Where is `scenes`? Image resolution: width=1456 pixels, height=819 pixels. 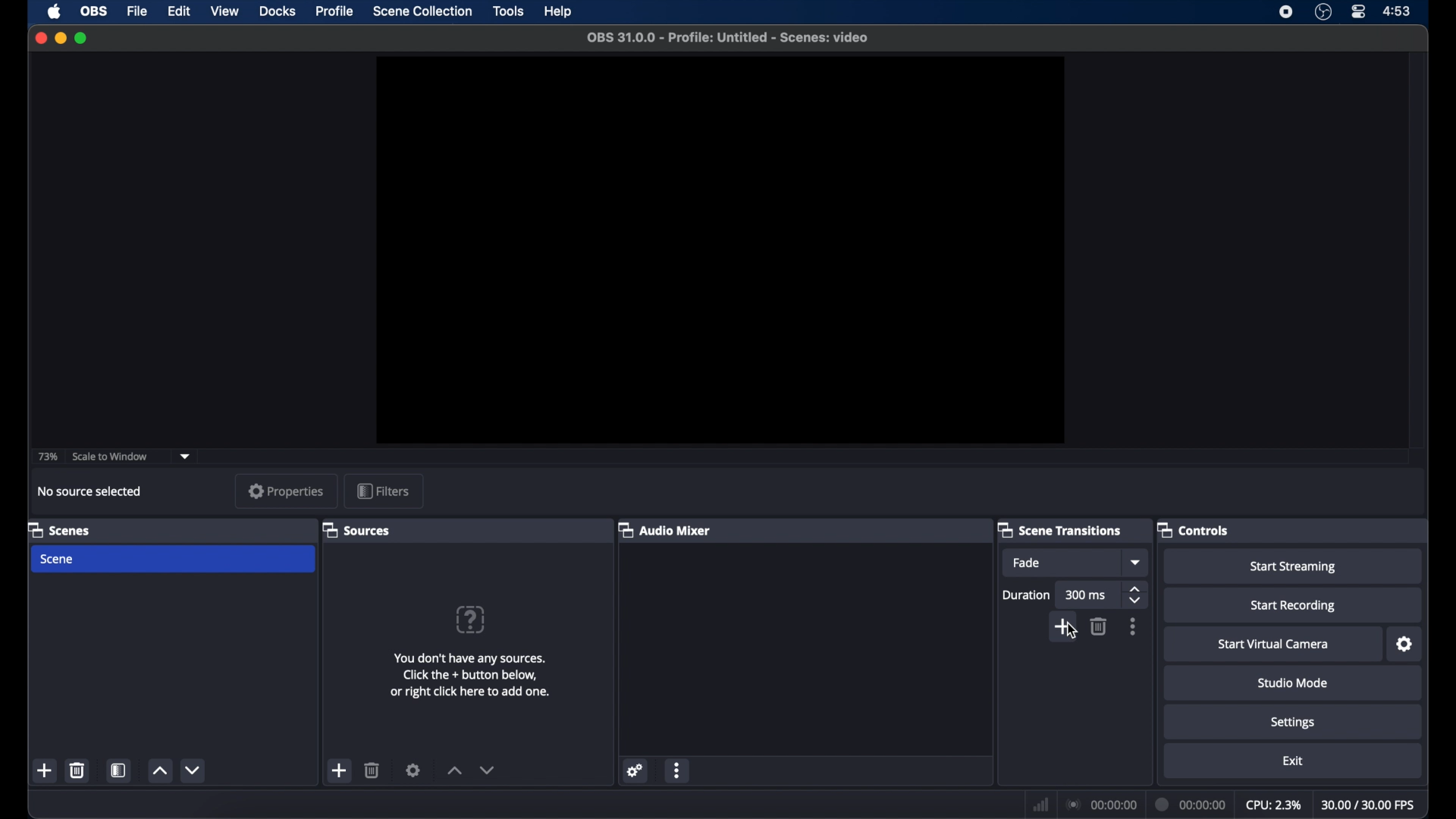
scenes is located at coordinates (59, 529).